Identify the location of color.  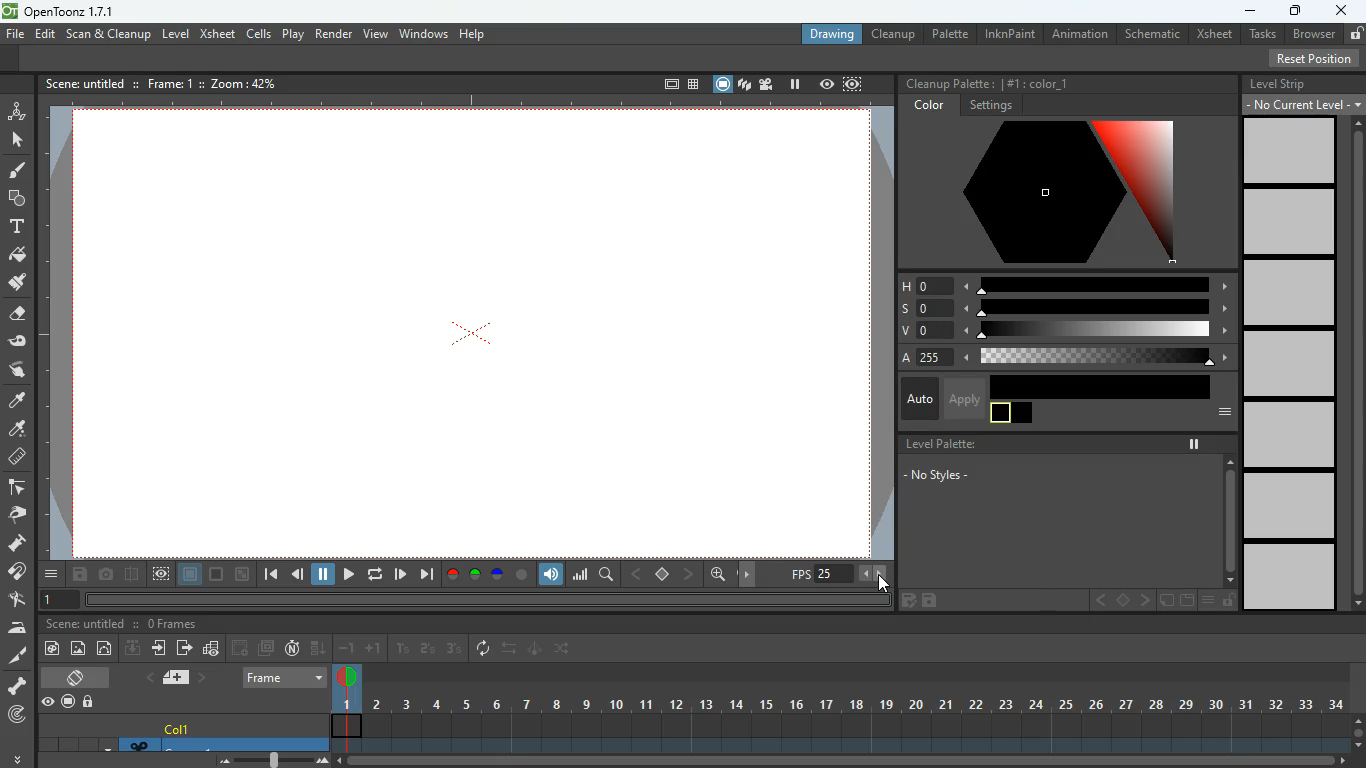
(17, 399).